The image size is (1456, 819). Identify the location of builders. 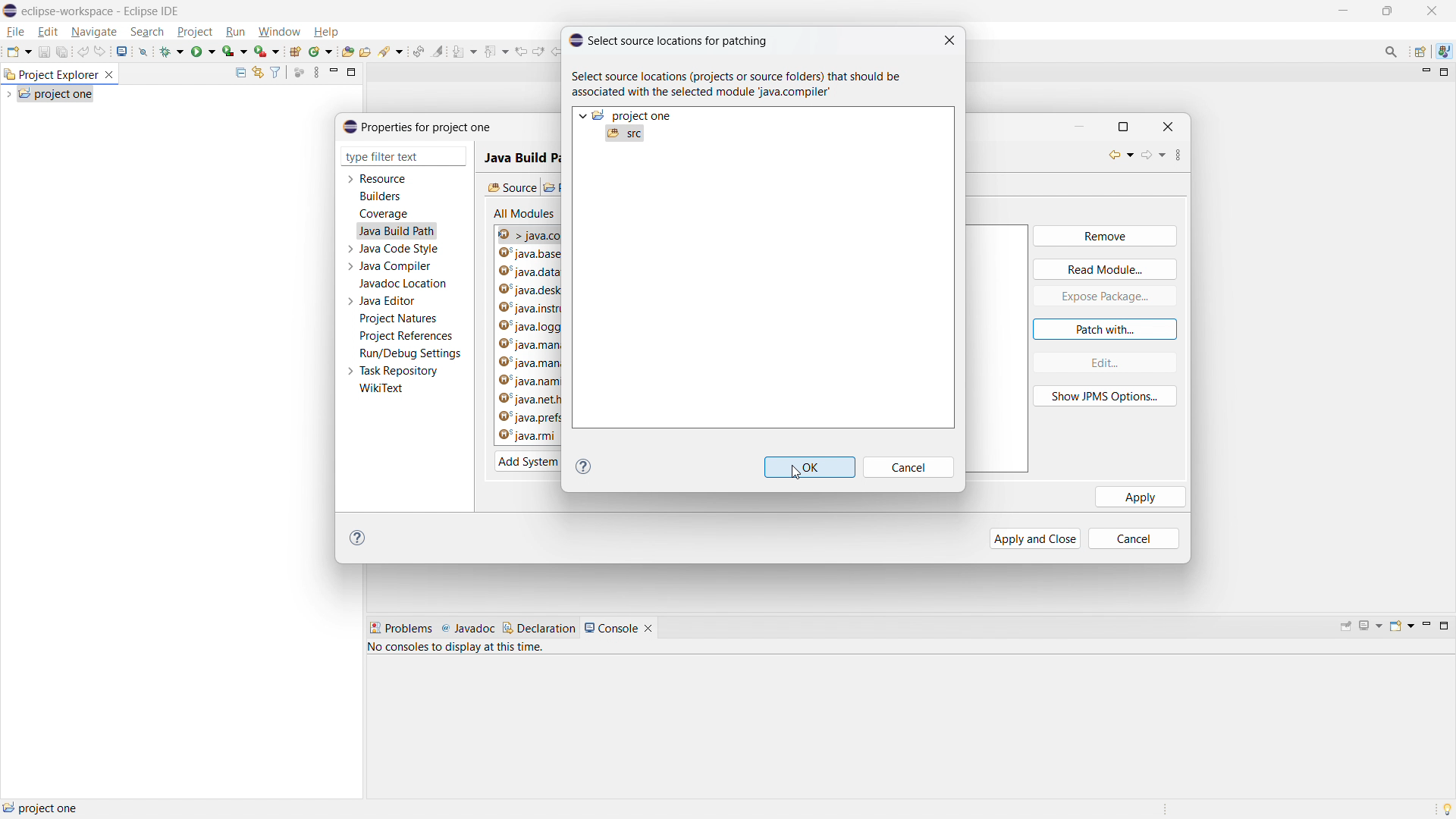
(380, 196).